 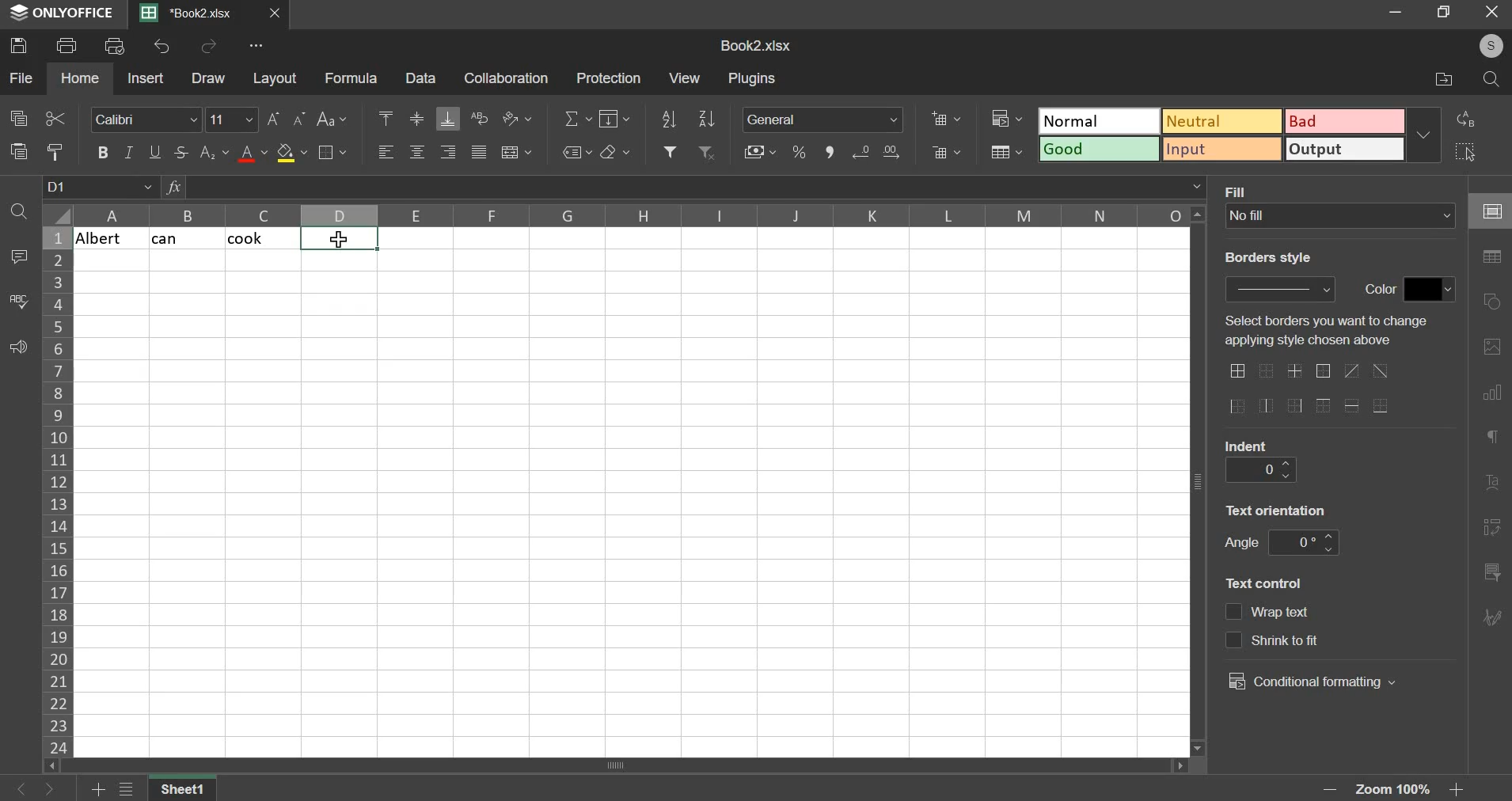 I want to click on border color, so click(x=1430, y=290).